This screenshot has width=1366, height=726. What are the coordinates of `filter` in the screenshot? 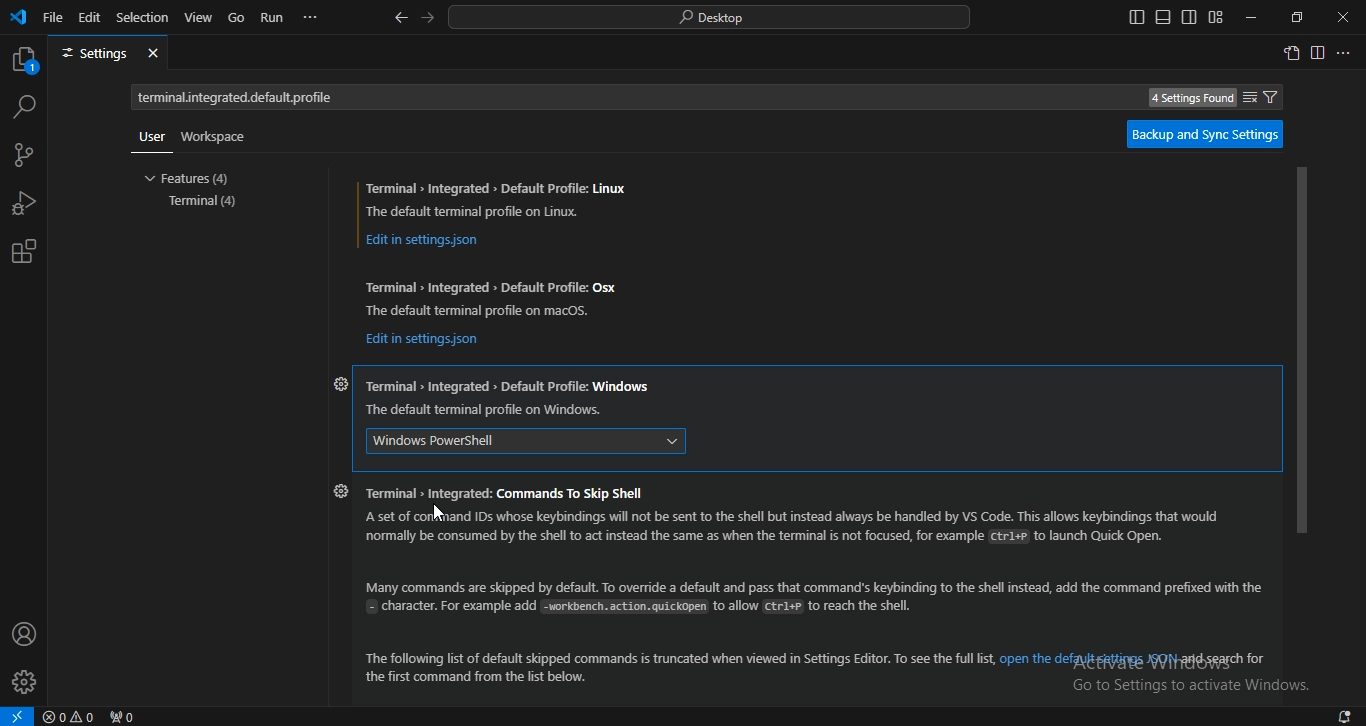 It's located at (1259, 97).